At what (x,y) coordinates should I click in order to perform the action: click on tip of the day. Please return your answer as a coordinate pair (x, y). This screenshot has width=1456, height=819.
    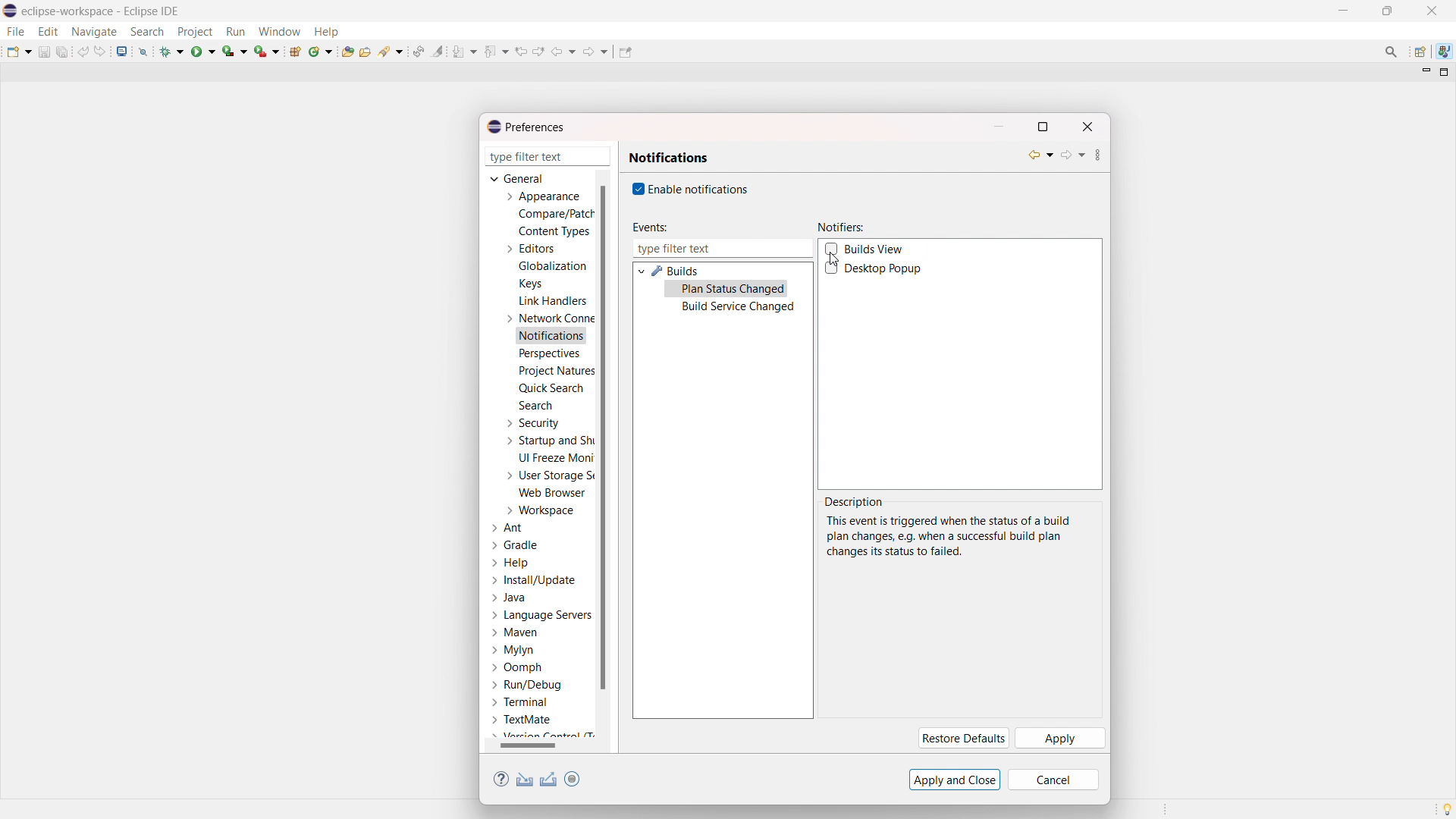
    Looking at the image, I should click on (1447, 808).